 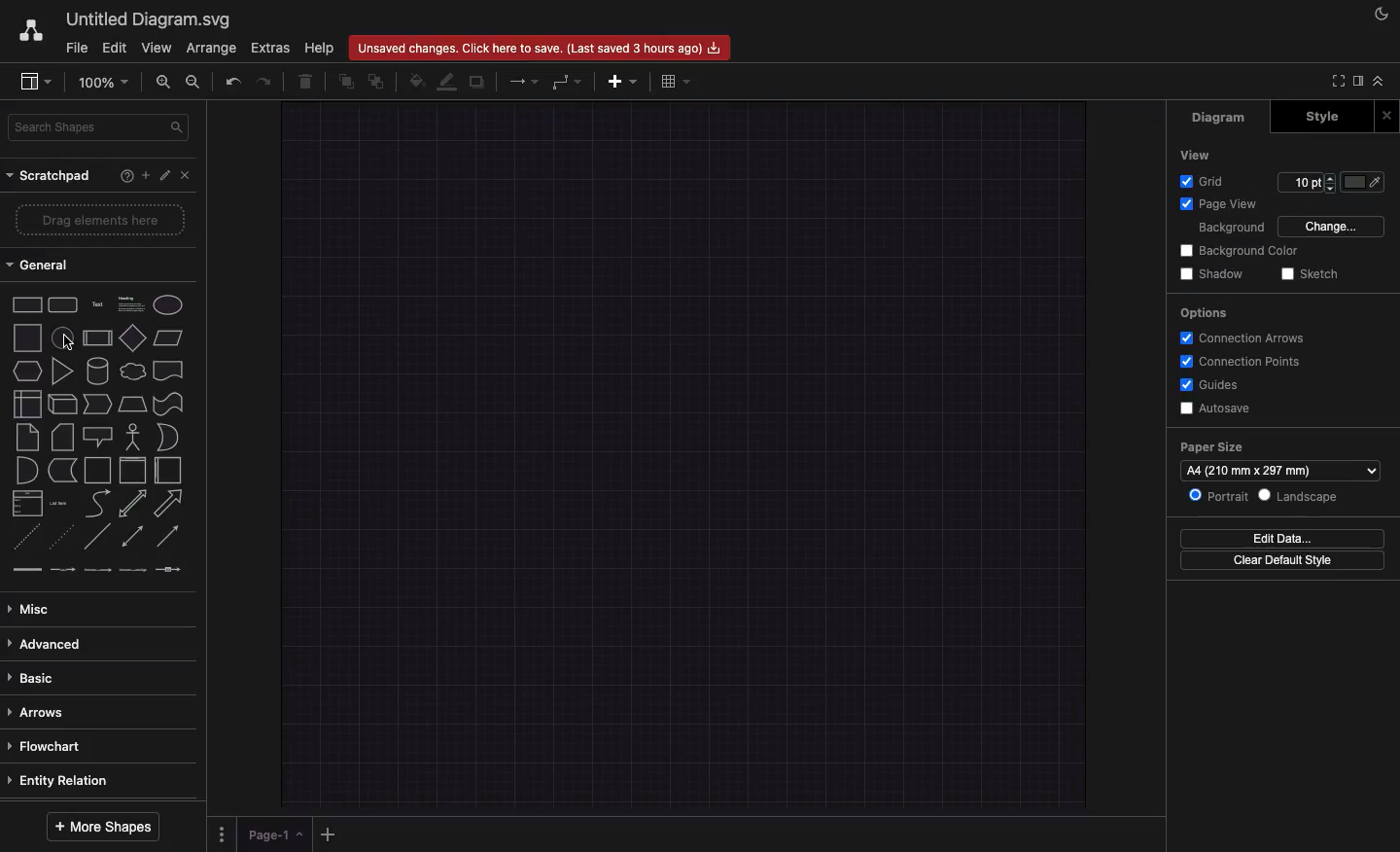 What do you see at coordinates (525, 81) in the screenshot?
I see `Arrow` at bounding box center [525, 81].